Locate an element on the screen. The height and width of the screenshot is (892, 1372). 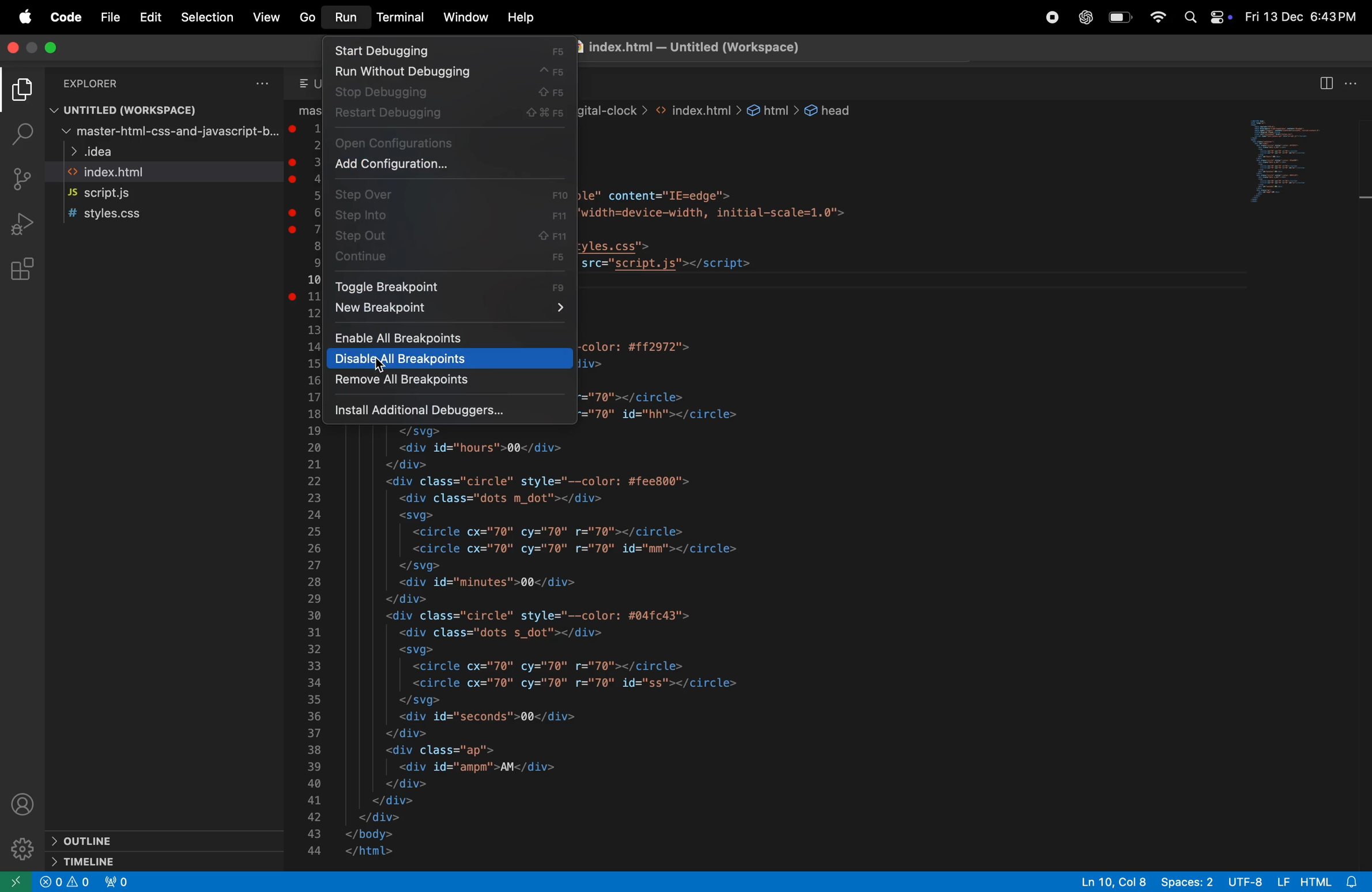
File is located at coordinates (109, 16).